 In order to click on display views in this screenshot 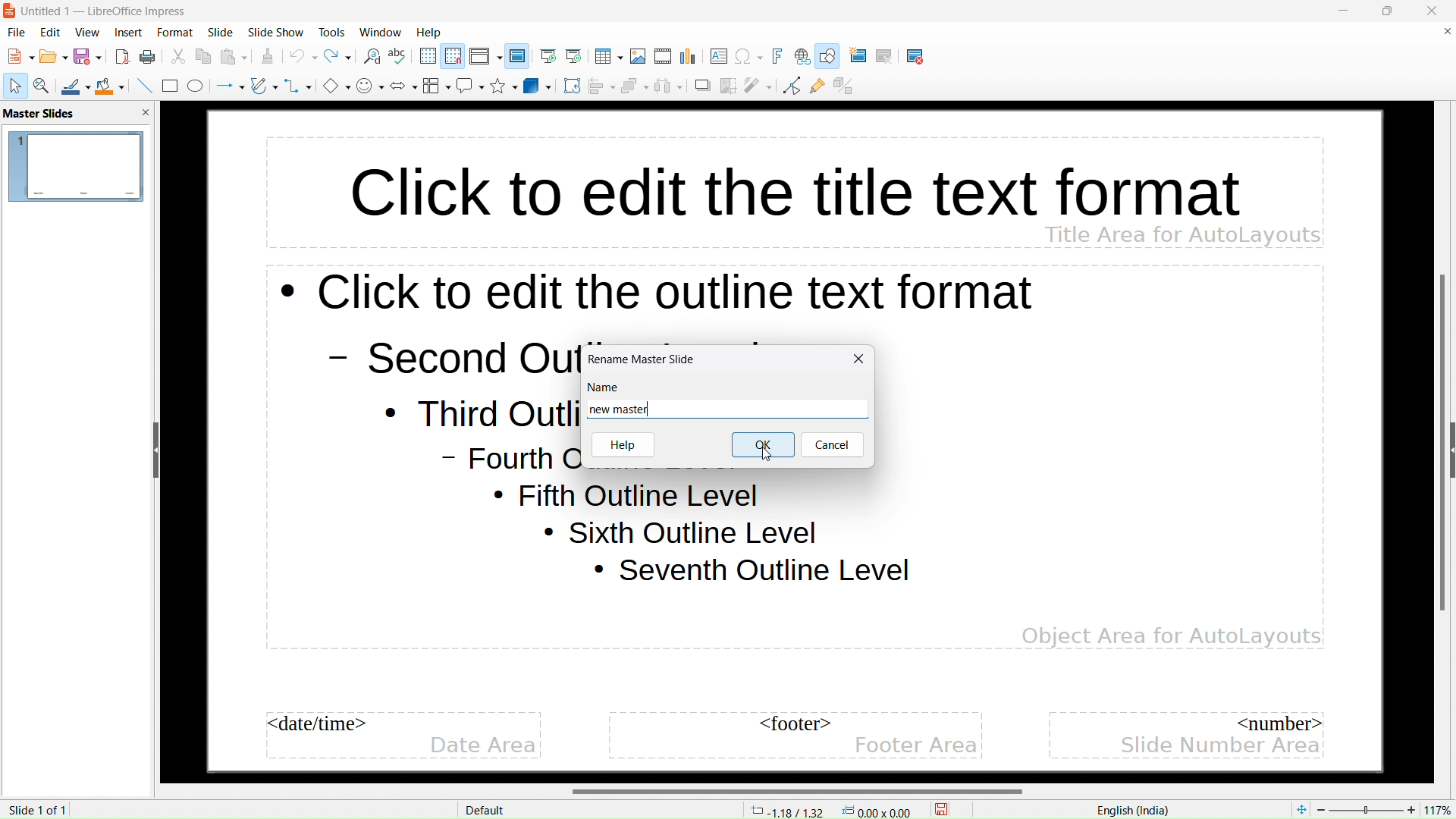, I will do `click(485, 56)`.